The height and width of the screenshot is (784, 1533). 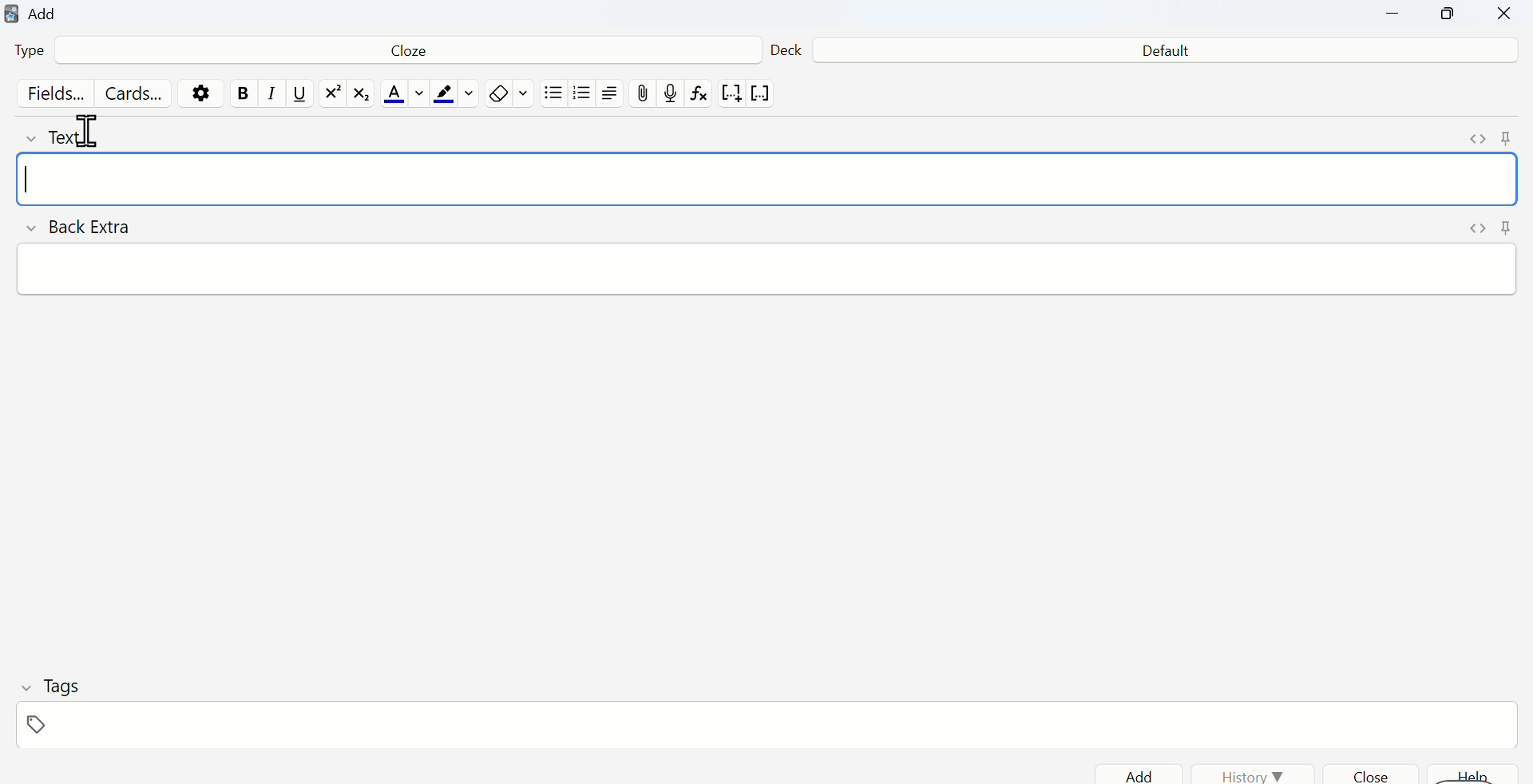 I want to click on Close, so click(x=1379, y=774).